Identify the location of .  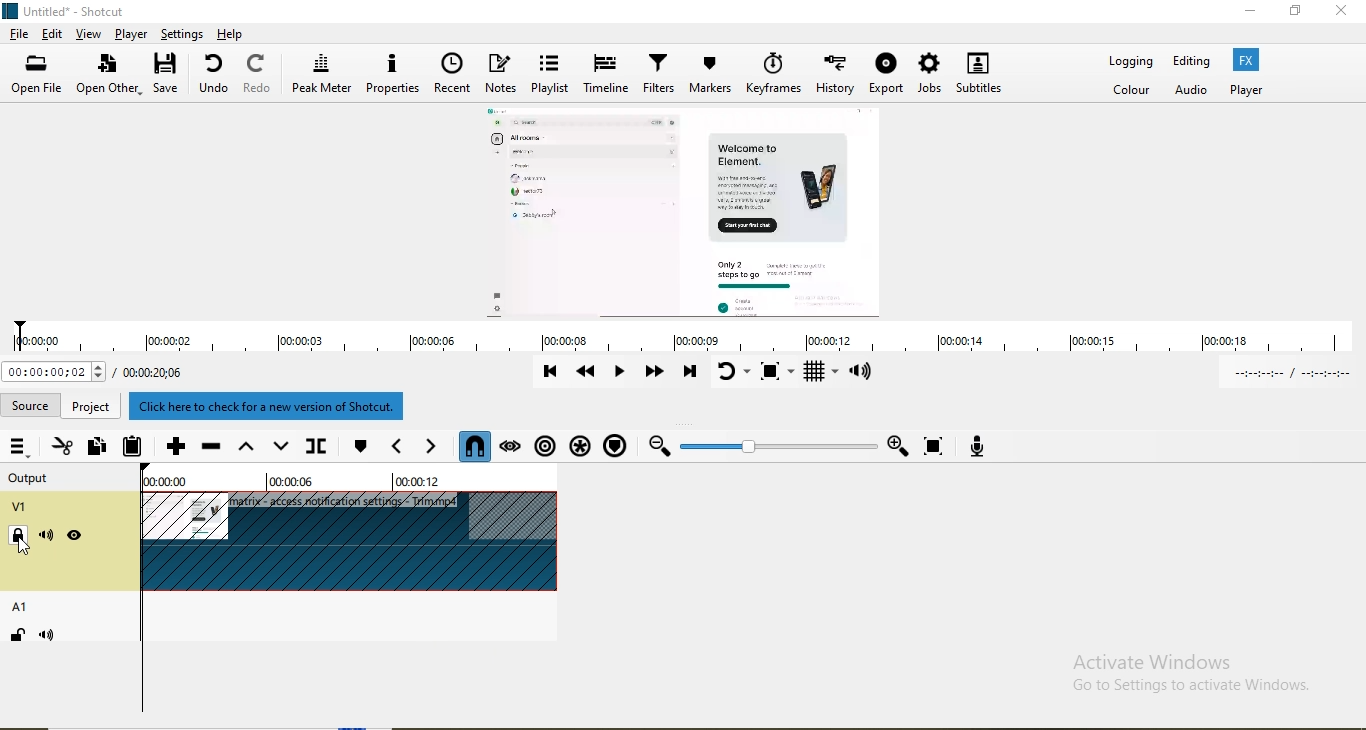
(116, 472).